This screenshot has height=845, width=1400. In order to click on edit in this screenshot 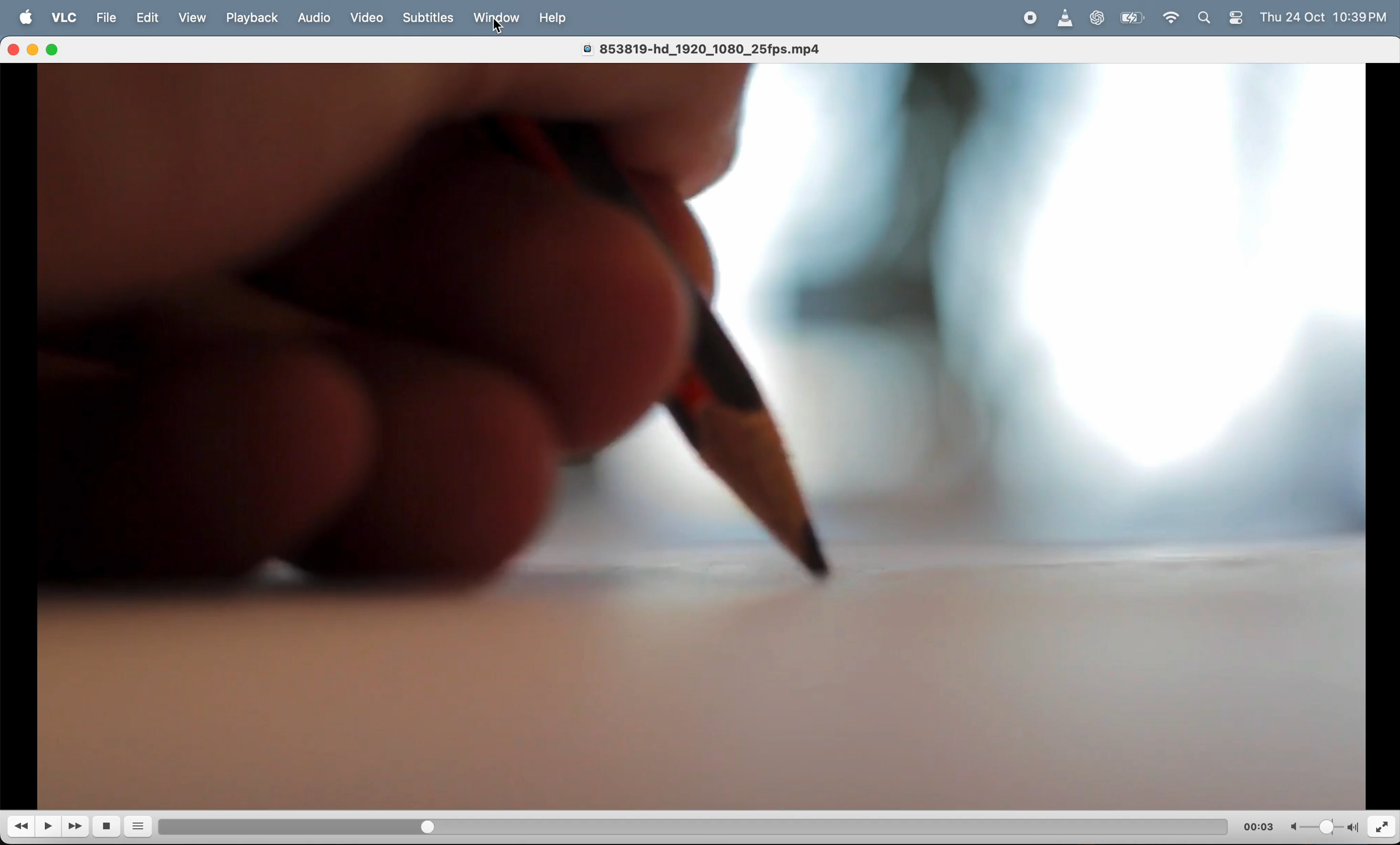, I will do `click(152, 18)`.